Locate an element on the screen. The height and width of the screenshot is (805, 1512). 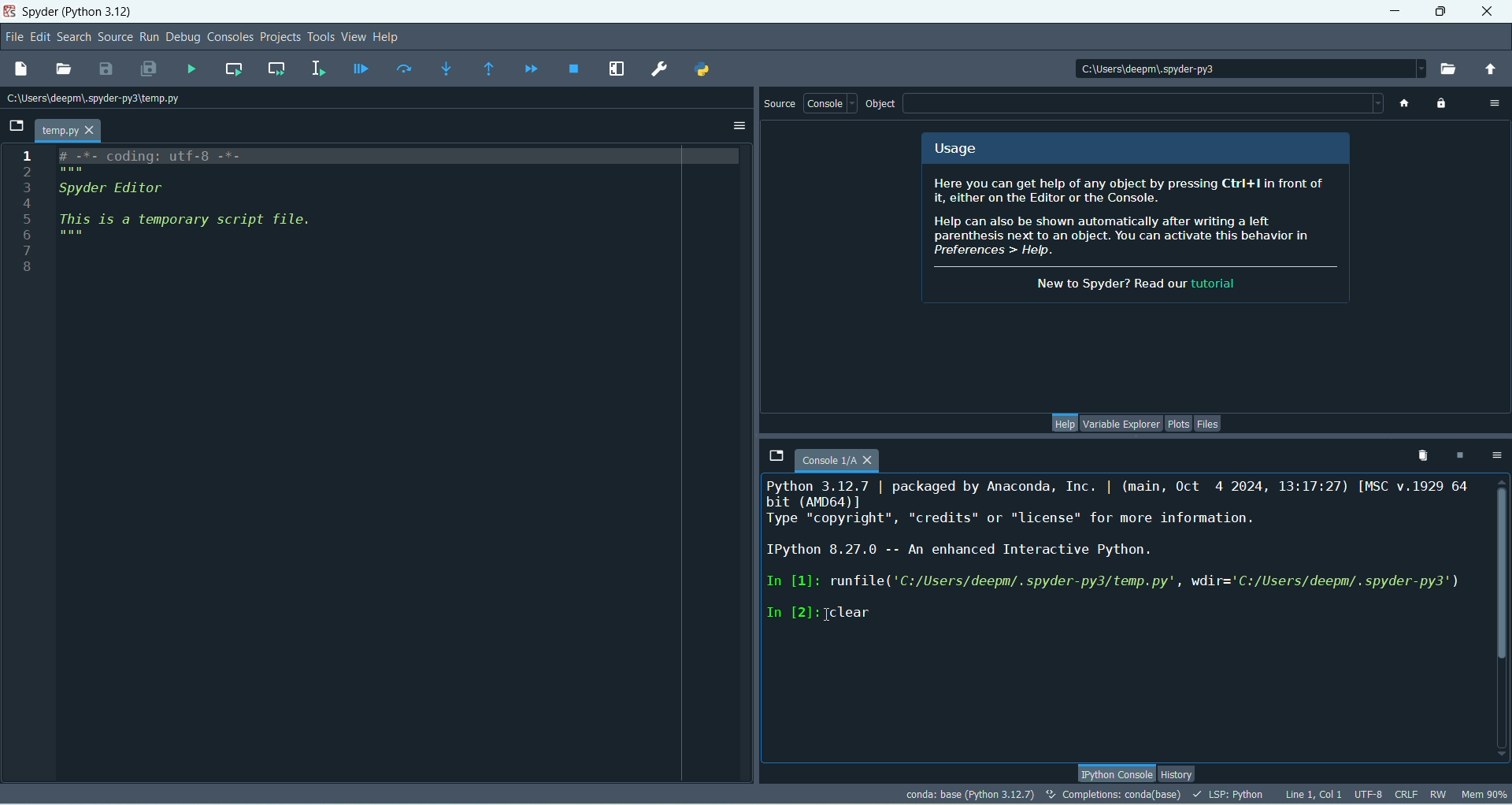
plots is located at coordinates (1179, 424).